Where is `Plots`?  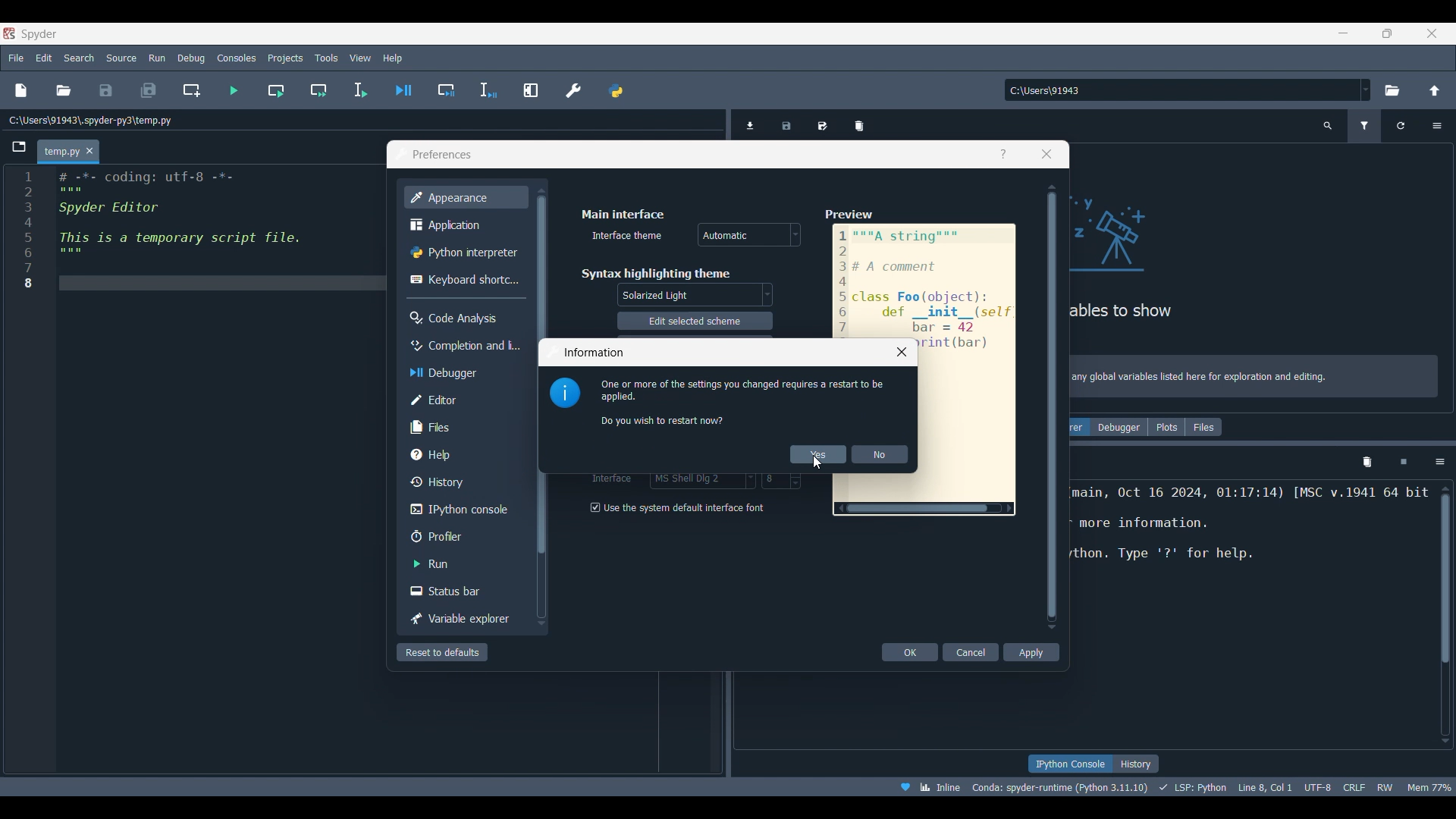
Plots is located at coordinates (1166, 427).